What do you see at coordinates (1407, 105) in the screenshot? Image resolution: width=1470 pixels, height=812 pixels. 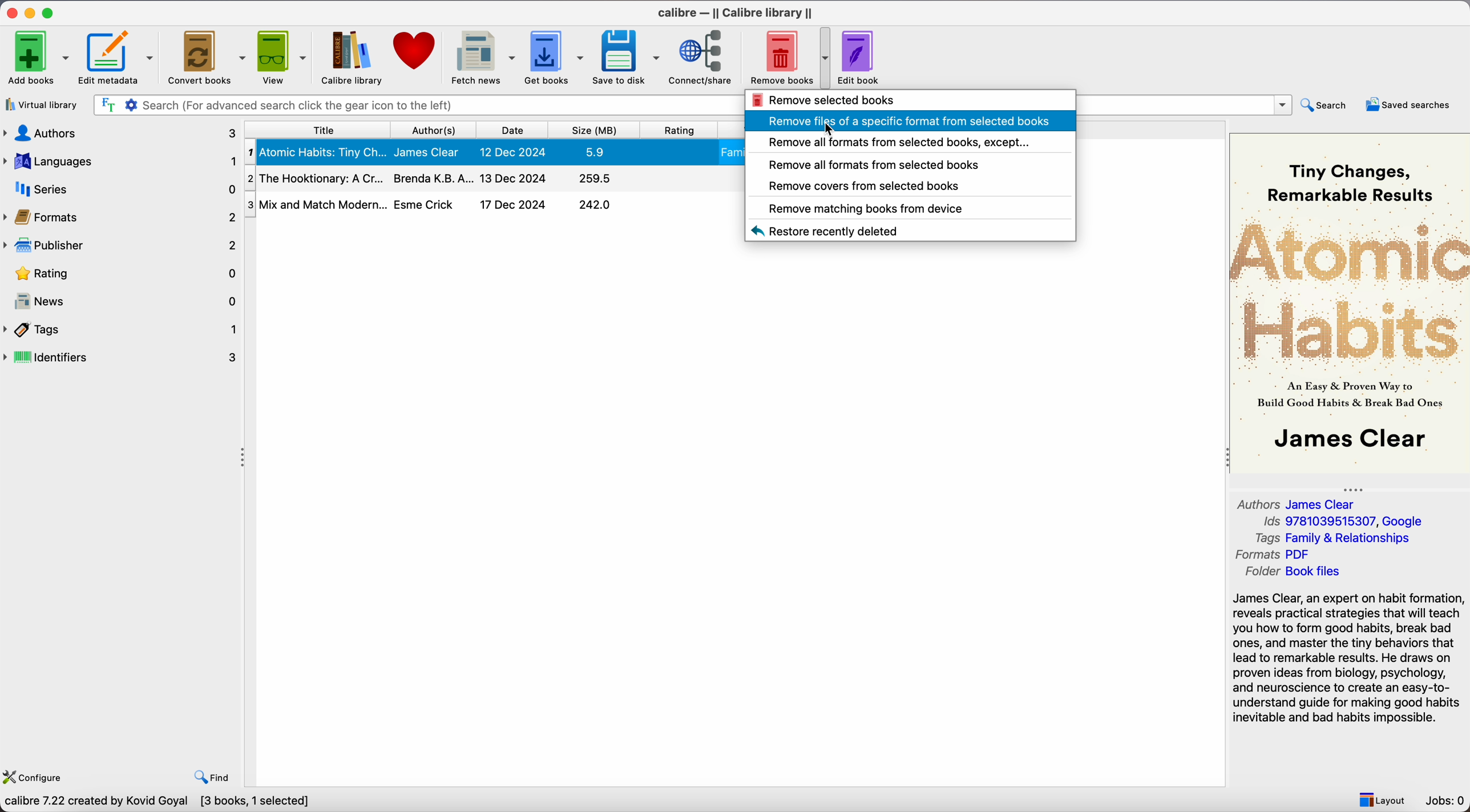 I see `saved searches` at bounding box center [1407, 105].